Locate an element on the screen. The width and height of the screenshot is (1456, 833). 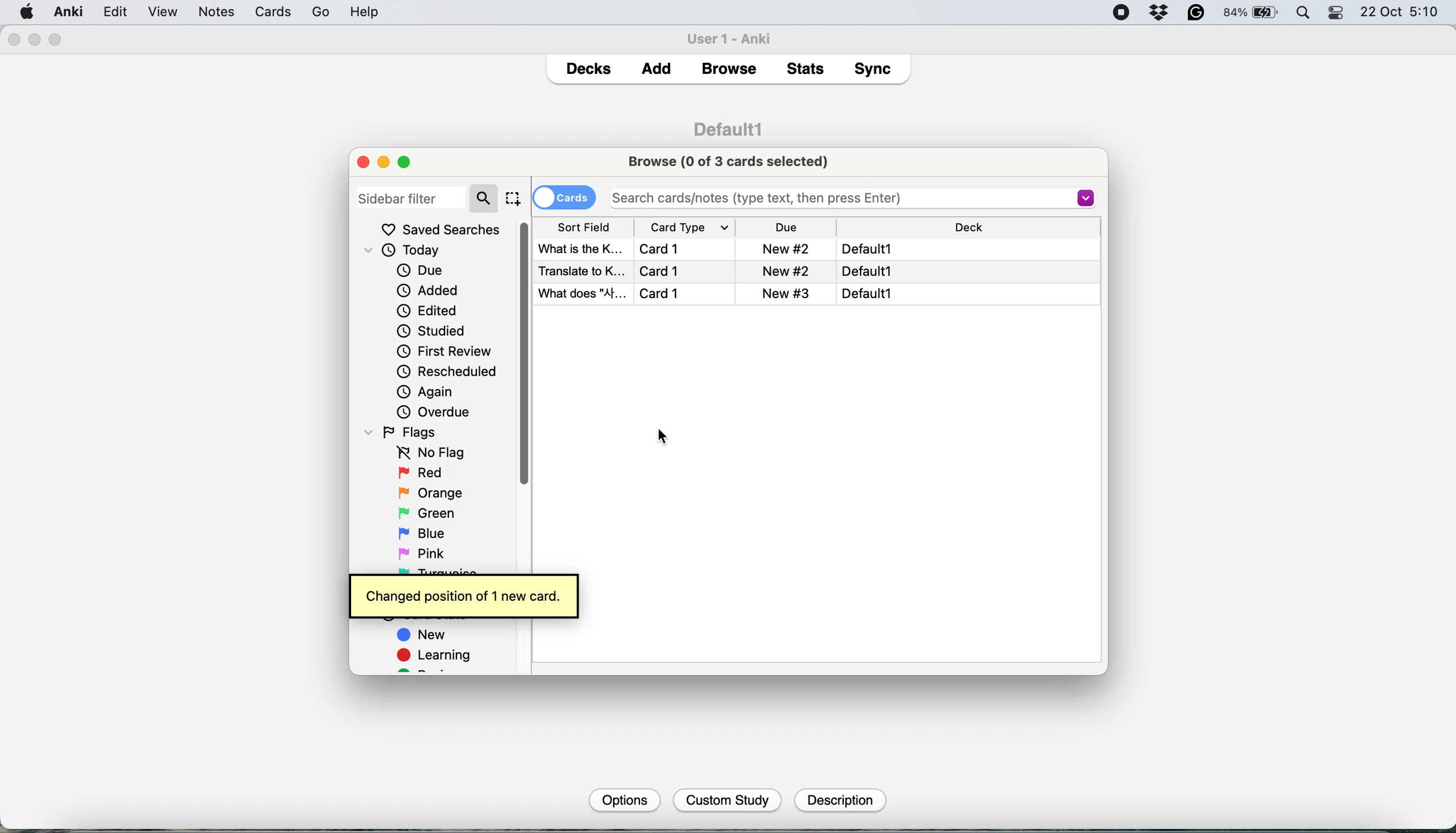
edit is located at coordinates (162, 13).